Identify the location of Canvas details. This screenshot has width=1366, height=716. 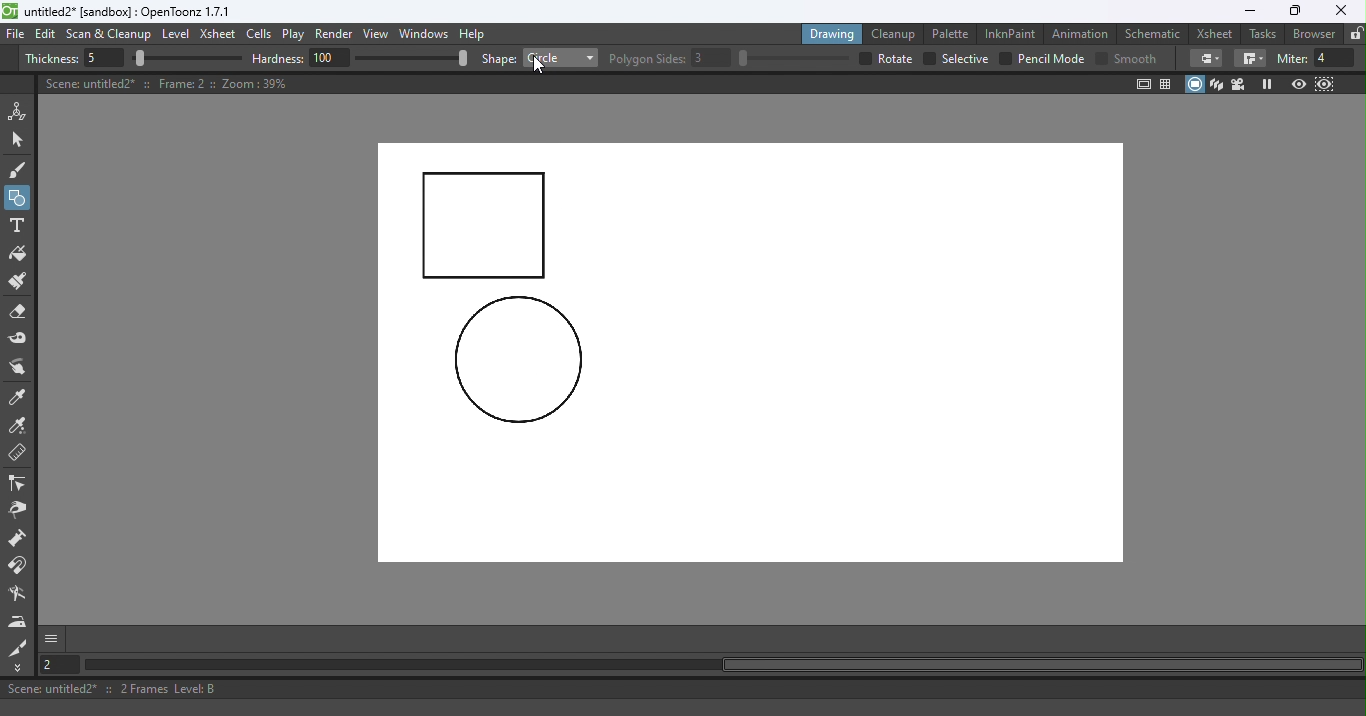
(169, 83).